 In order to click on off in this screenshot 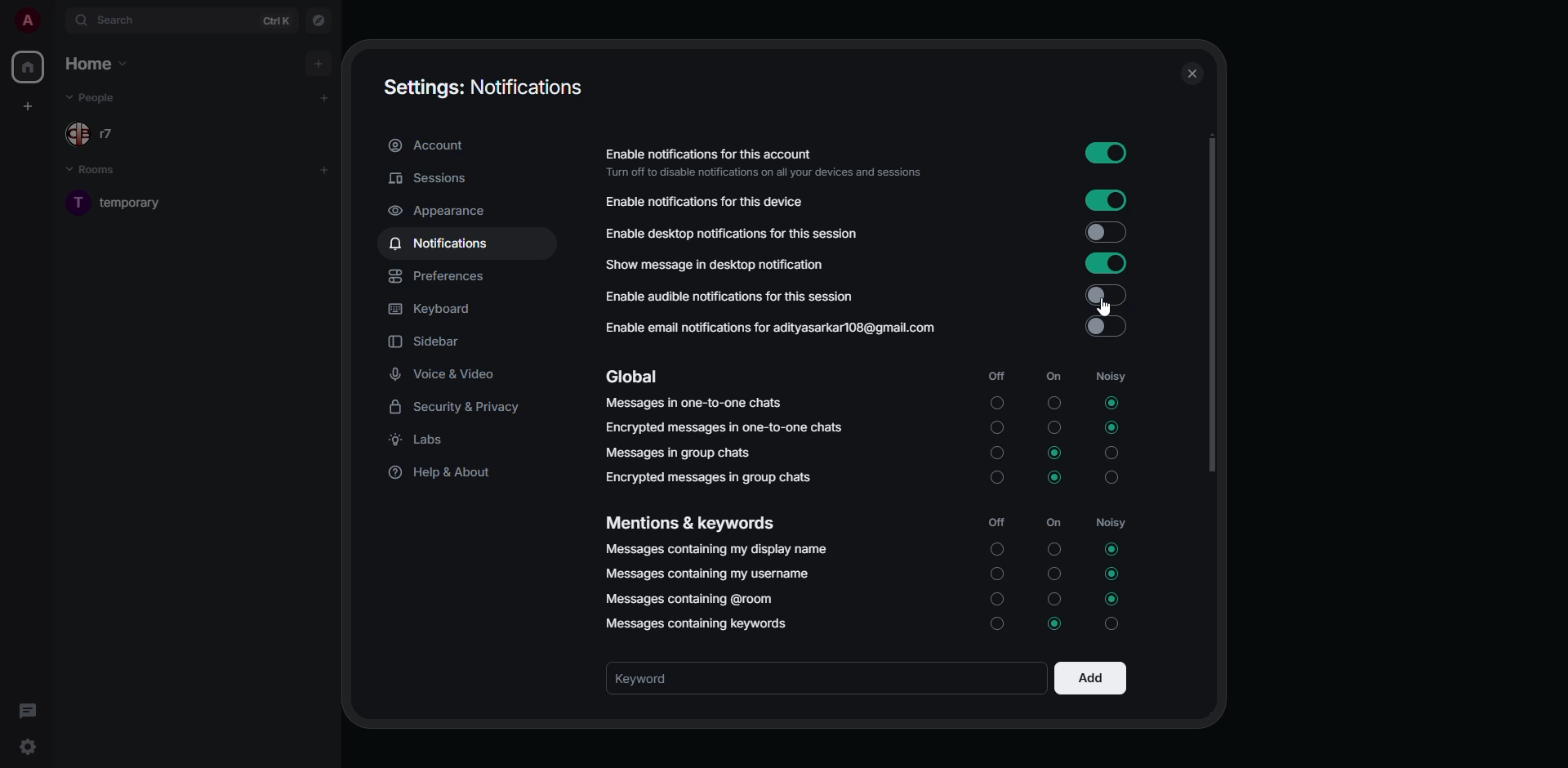, I will do `click(1000, 524)`.